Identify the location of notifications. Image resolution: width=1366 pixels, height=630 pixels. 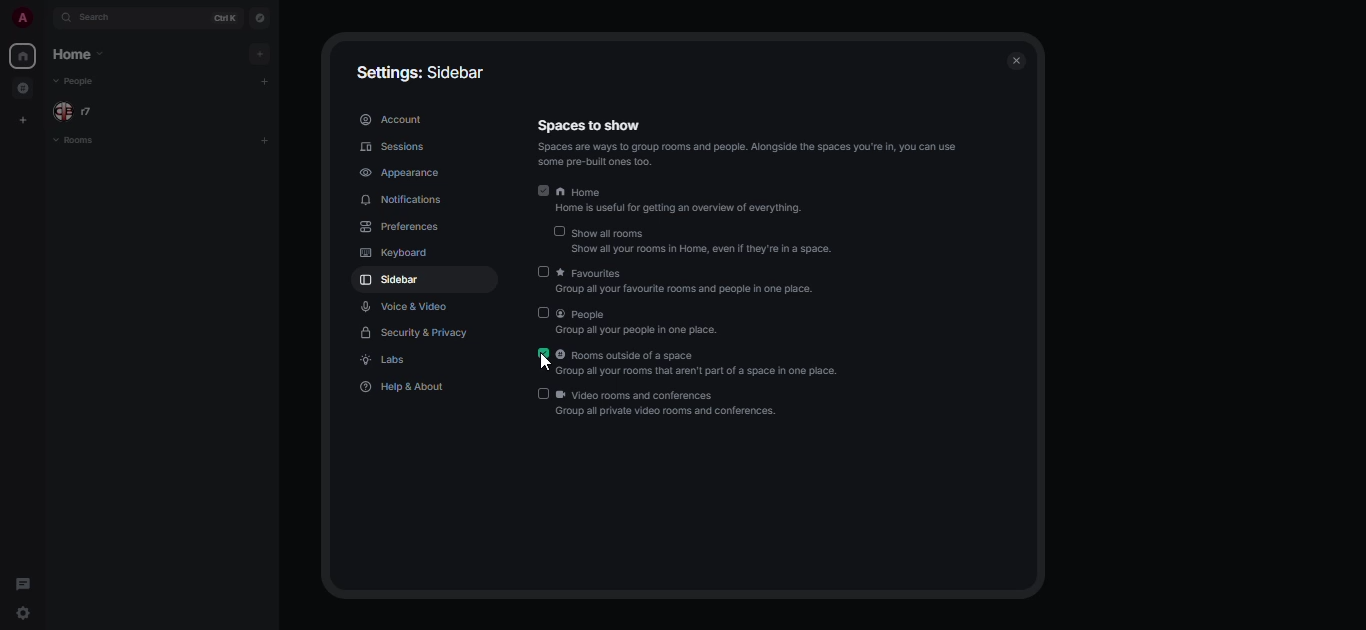
(405, 199).